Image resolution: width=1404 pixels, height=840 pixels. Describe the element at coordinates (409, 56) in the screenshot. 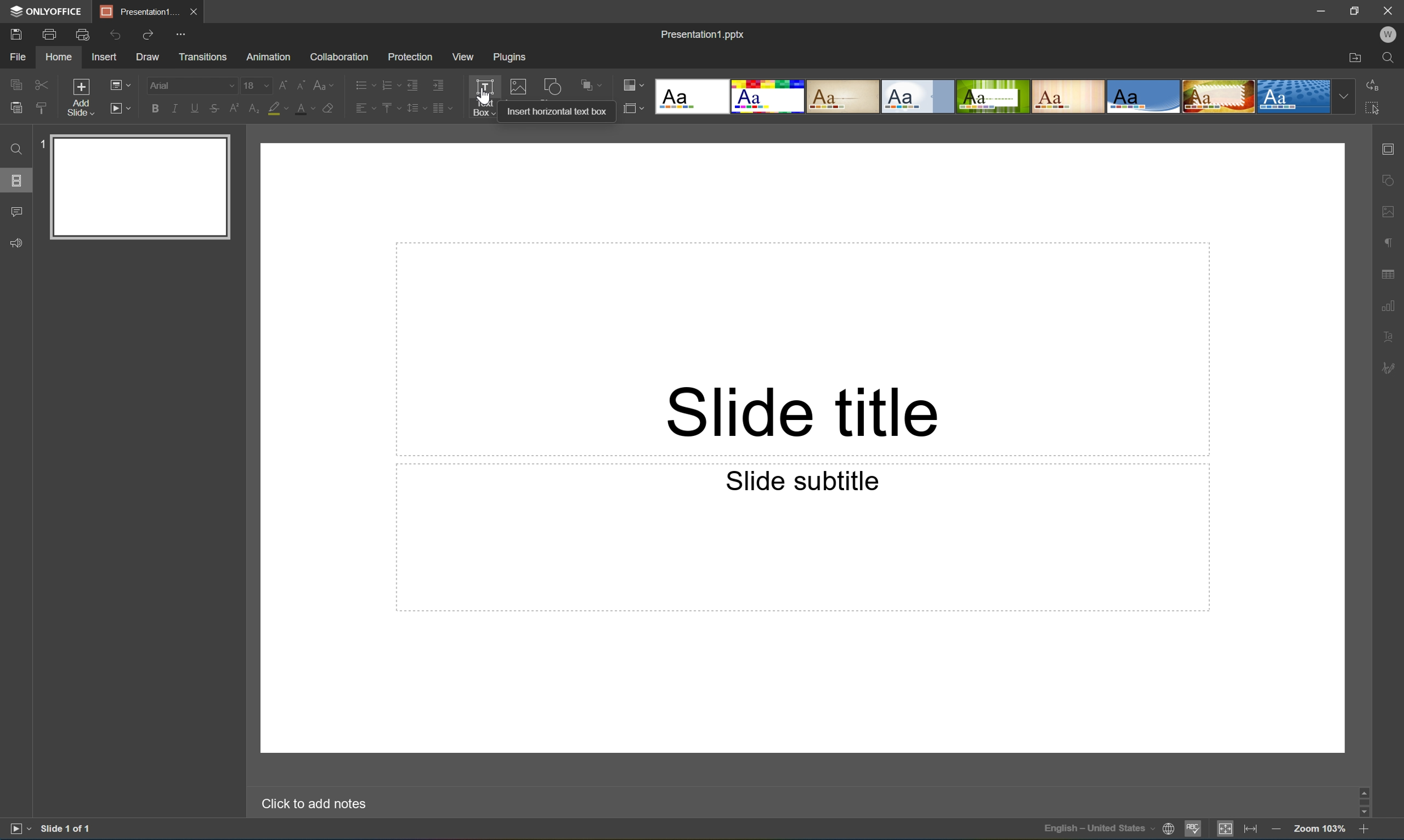

I see `Protection` at that location.